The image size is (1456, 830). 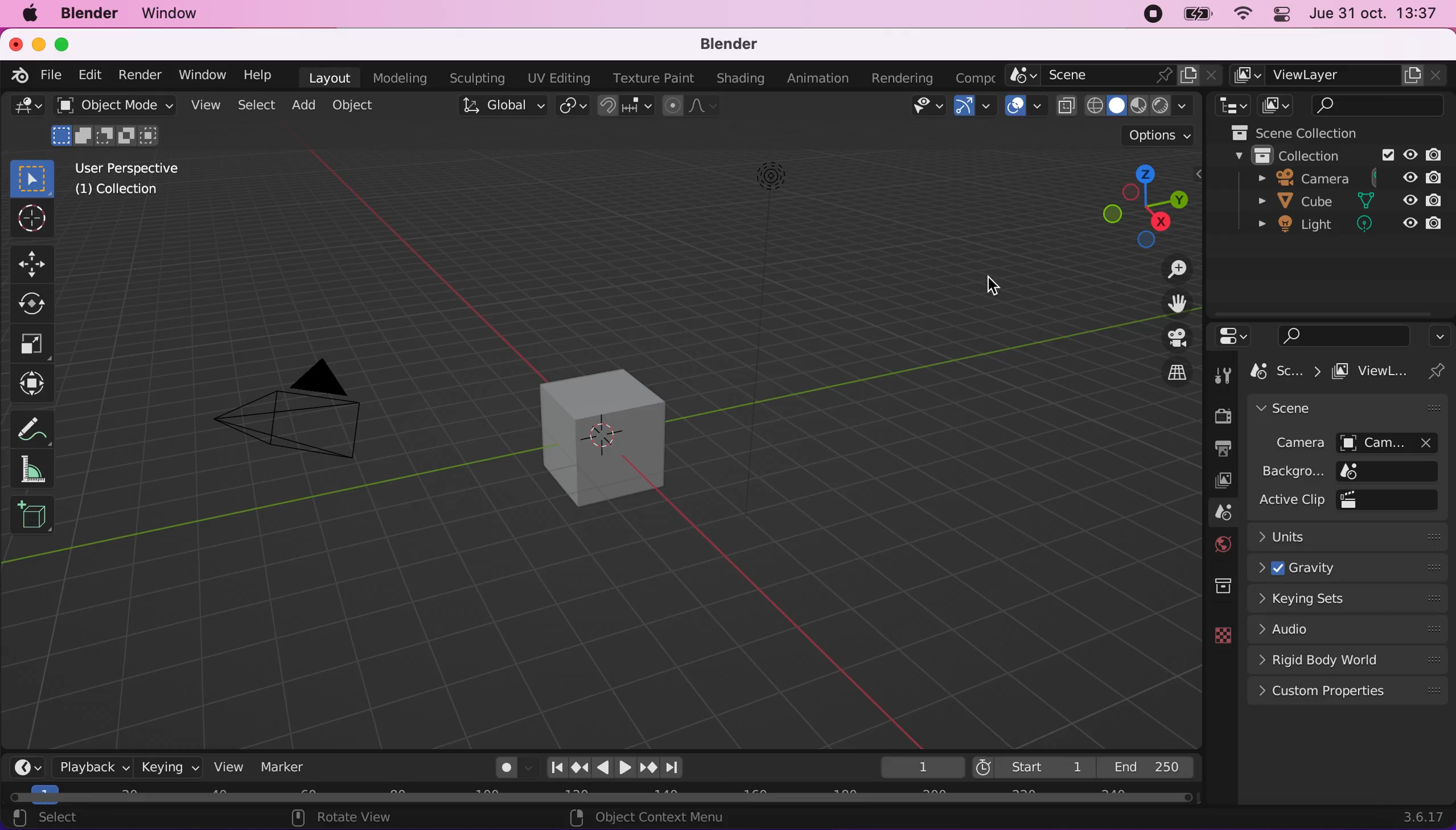 I want to click on minimize, so click(x=39, y=43).